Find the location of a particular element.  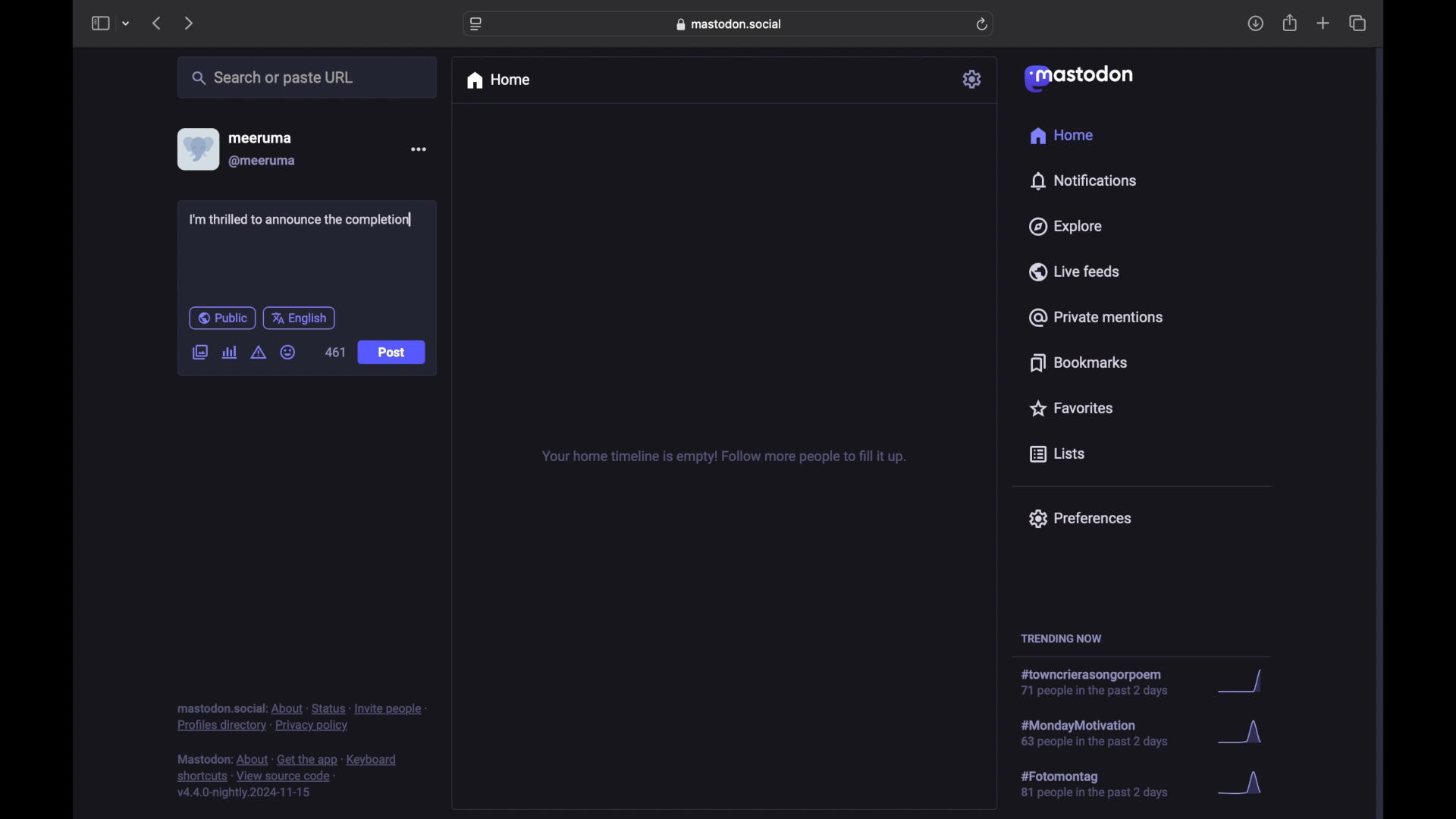

home is located at coordinates (1063, 135).